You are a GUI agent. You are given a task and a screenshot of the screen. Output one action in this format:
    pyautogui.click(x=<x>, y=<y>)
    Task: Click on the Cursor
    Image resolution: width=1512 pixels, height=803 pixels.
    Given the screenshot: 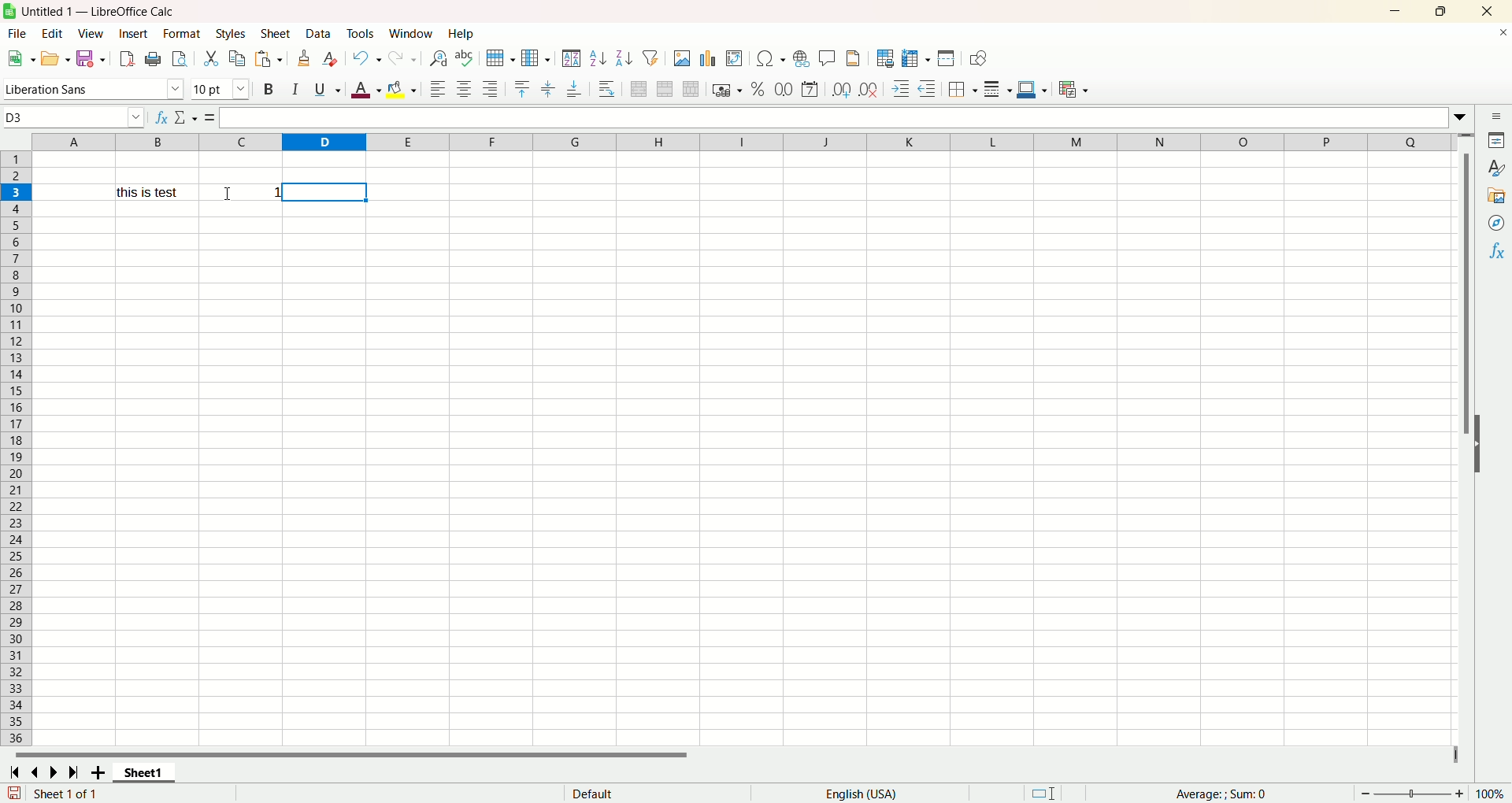 What is the action you would take?
    pyautogui.click(x=228, y=193)
    